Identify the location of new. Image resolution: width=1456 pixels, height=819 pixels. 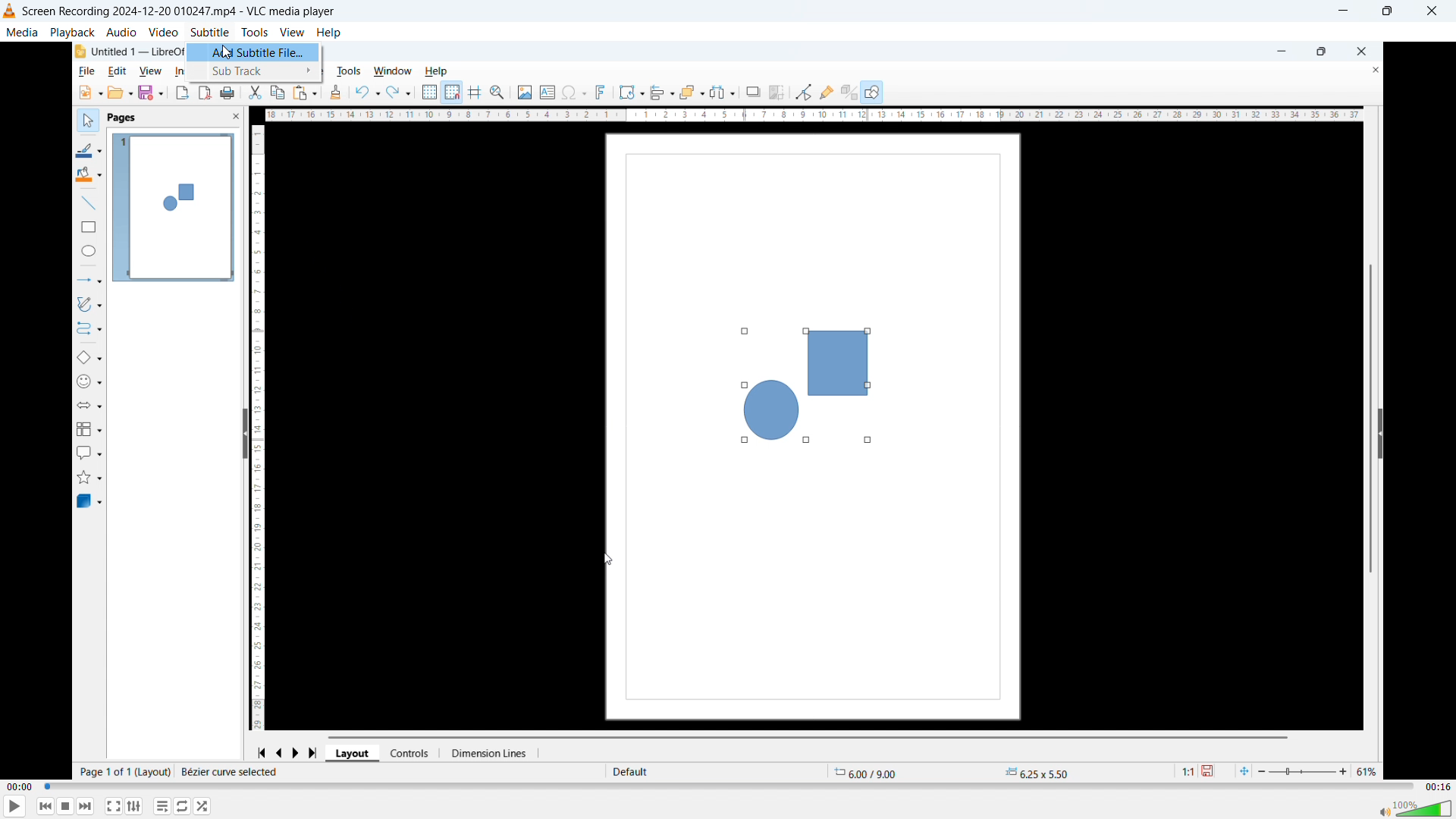
(88, 93).